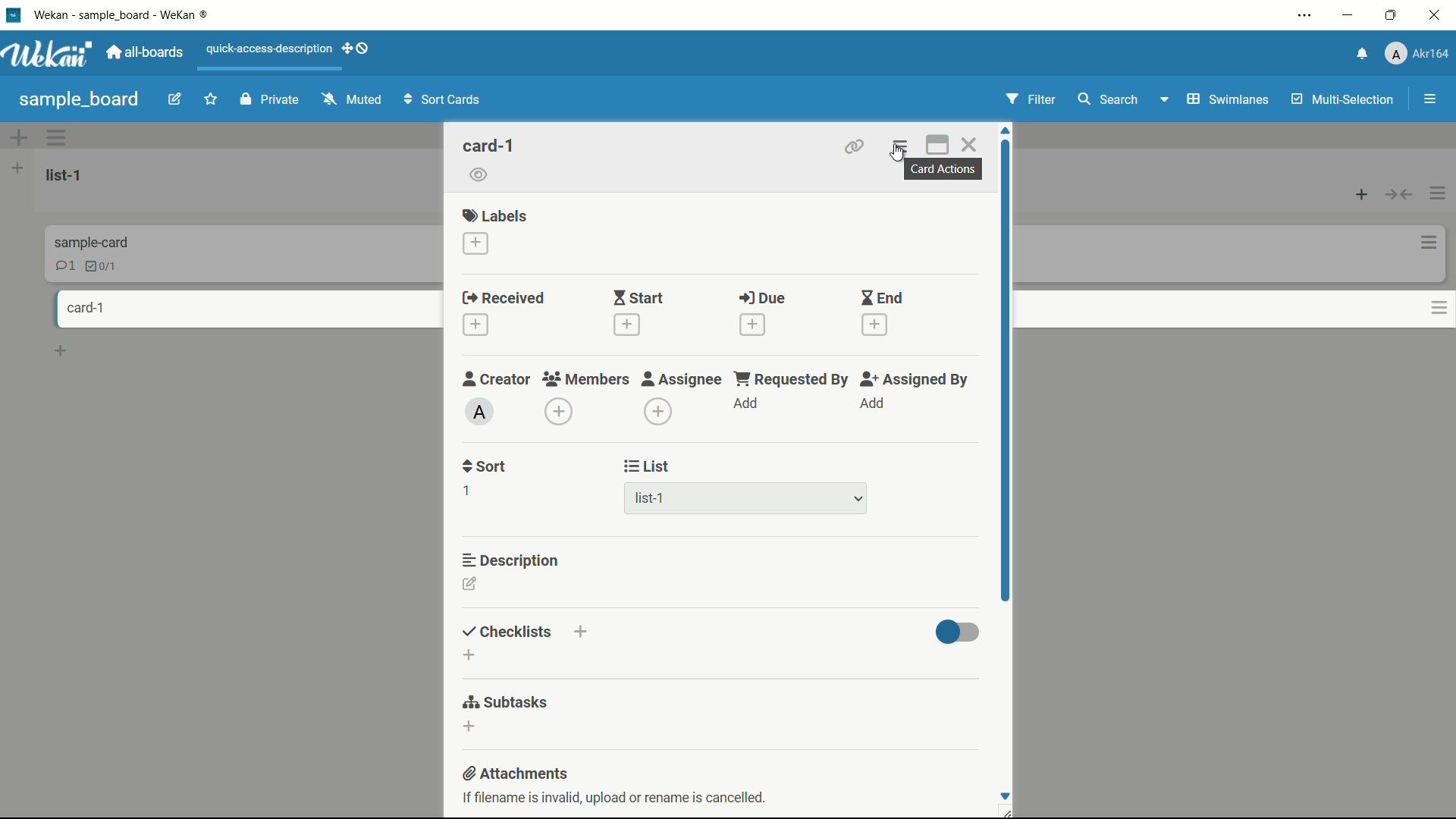  What do you see at coordinates (148, 17) in the screenshot?
I see `wekan - Sample_board - weaken` at bounding box center [148, 17].